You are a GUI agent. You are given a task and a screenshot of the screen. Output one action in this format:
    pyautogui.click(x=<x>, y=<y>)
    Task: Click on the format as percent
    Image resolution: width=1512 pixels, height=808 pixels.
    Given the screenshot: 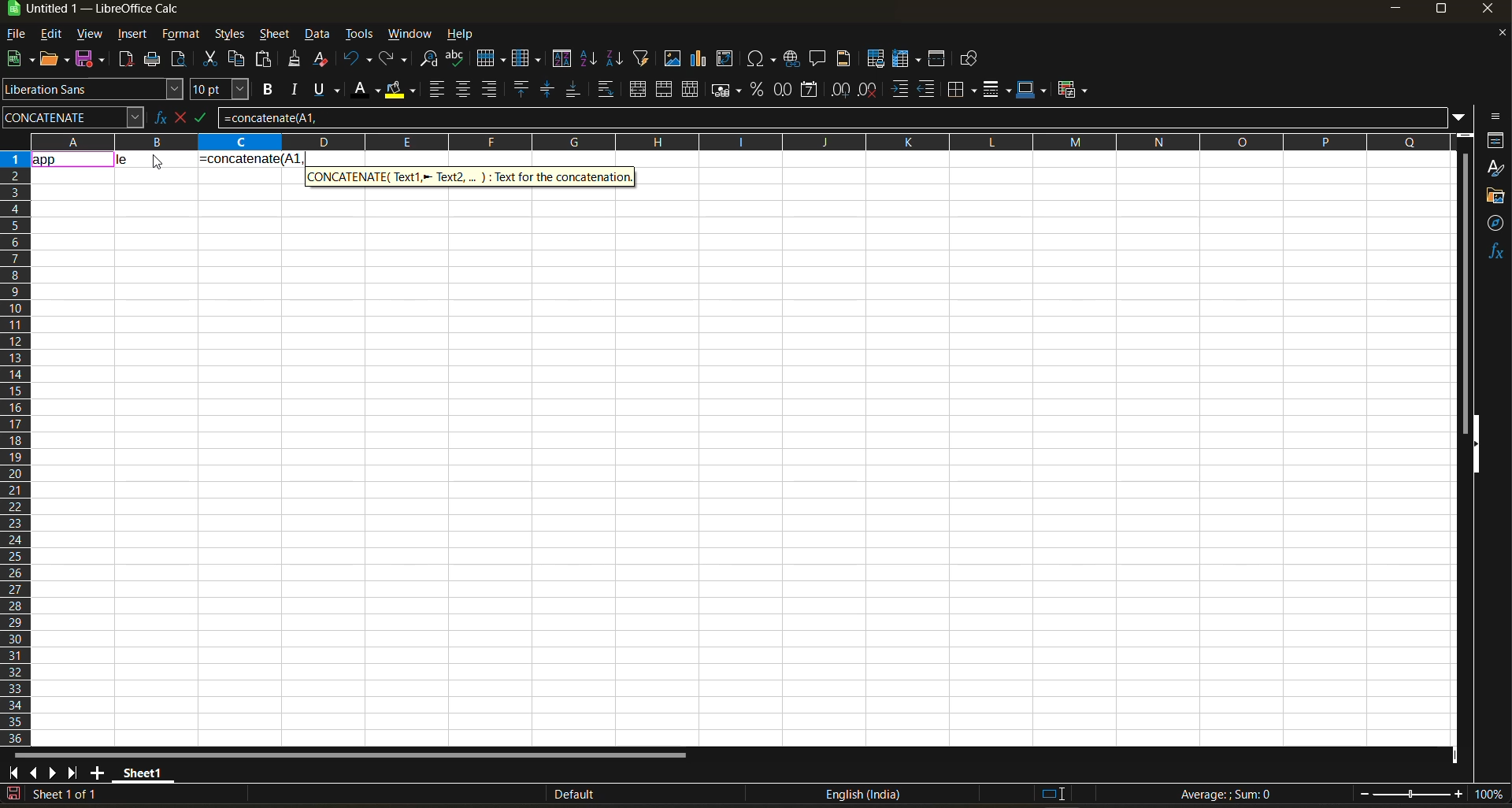 What is the action you would take?
    pyautogui.click(x=759, y=90)
    